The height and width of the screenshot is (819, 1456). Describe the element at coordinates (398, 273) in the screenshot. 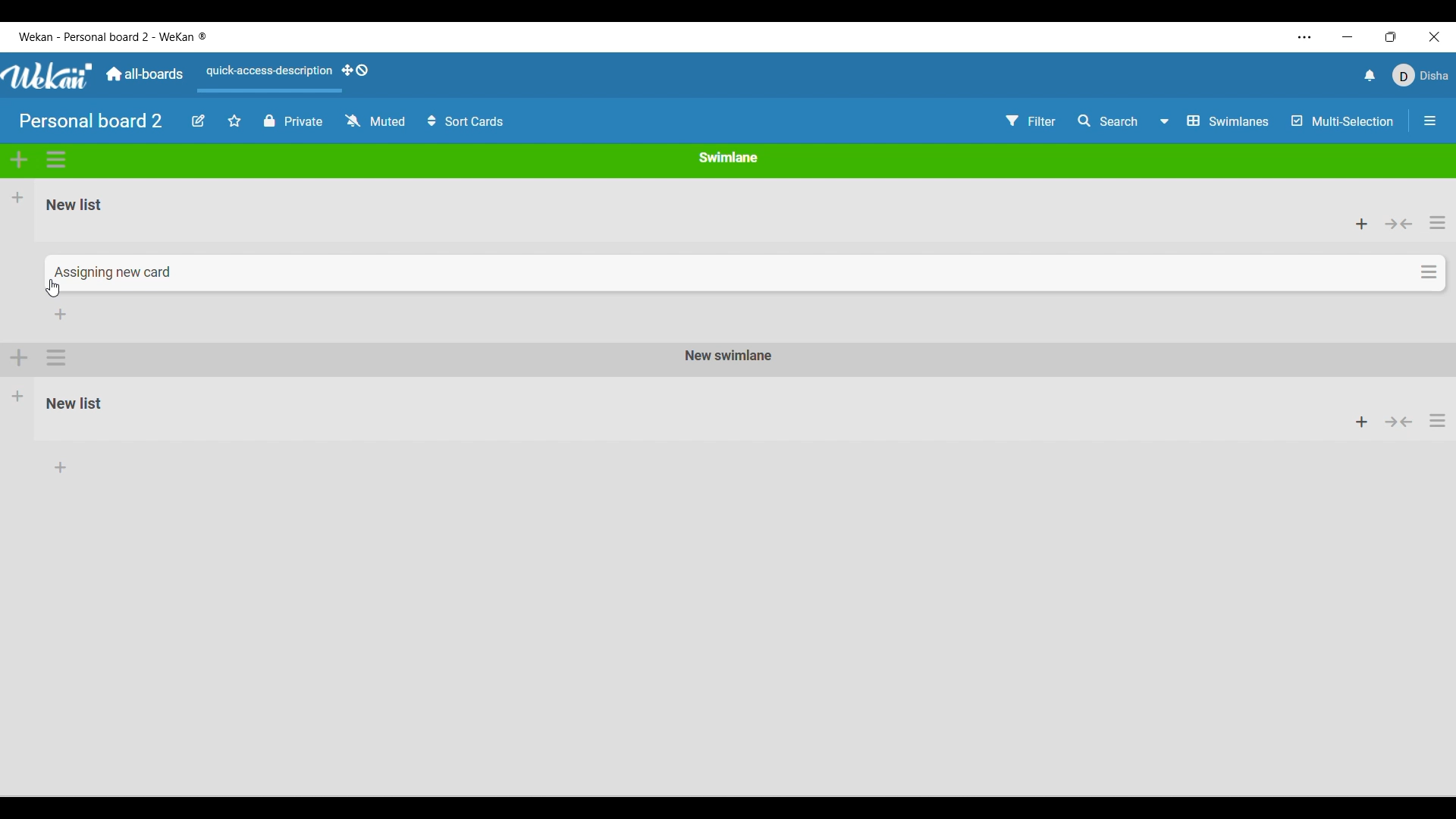

I see `Cursor on Current card` at that location.